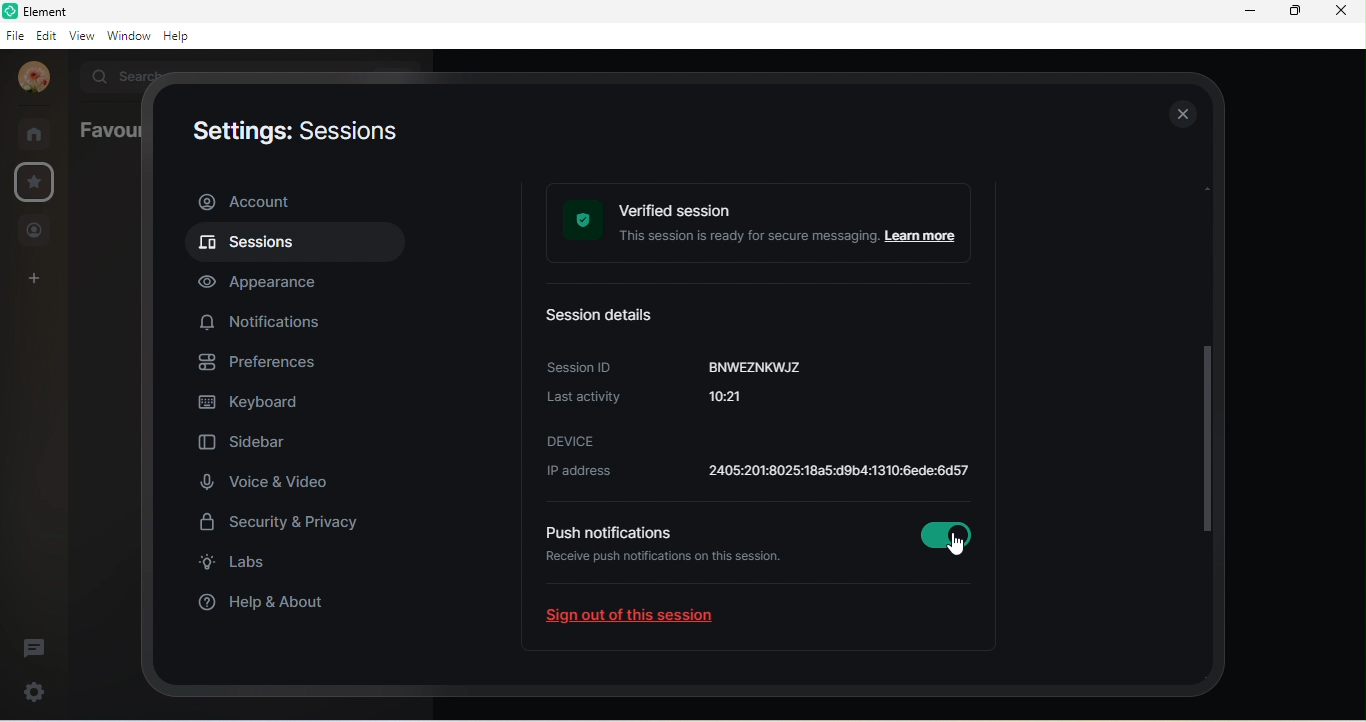  I want to click on threads, so click(35, 649).